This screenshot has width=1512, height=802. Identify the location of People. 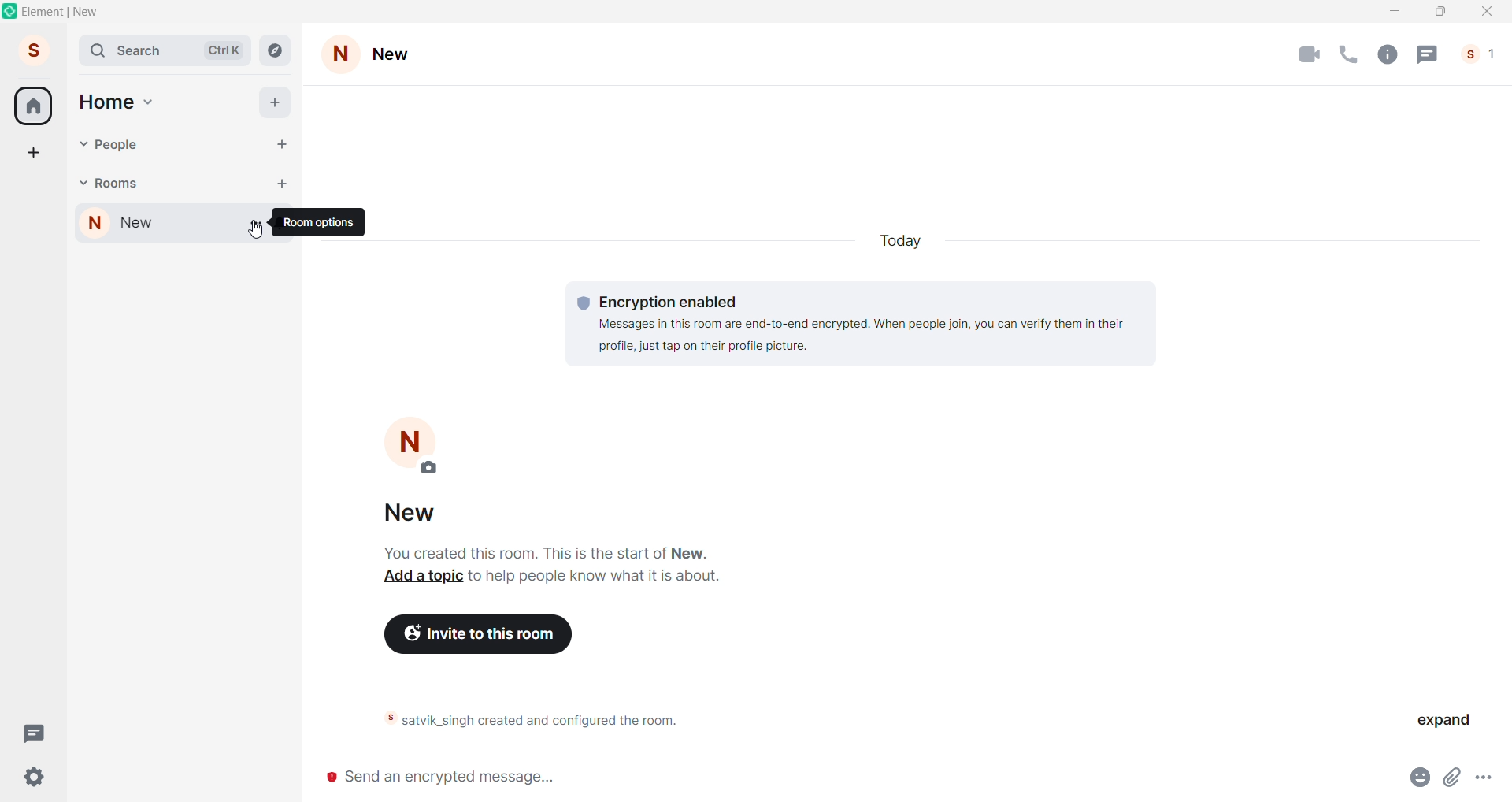
(1480, 54).